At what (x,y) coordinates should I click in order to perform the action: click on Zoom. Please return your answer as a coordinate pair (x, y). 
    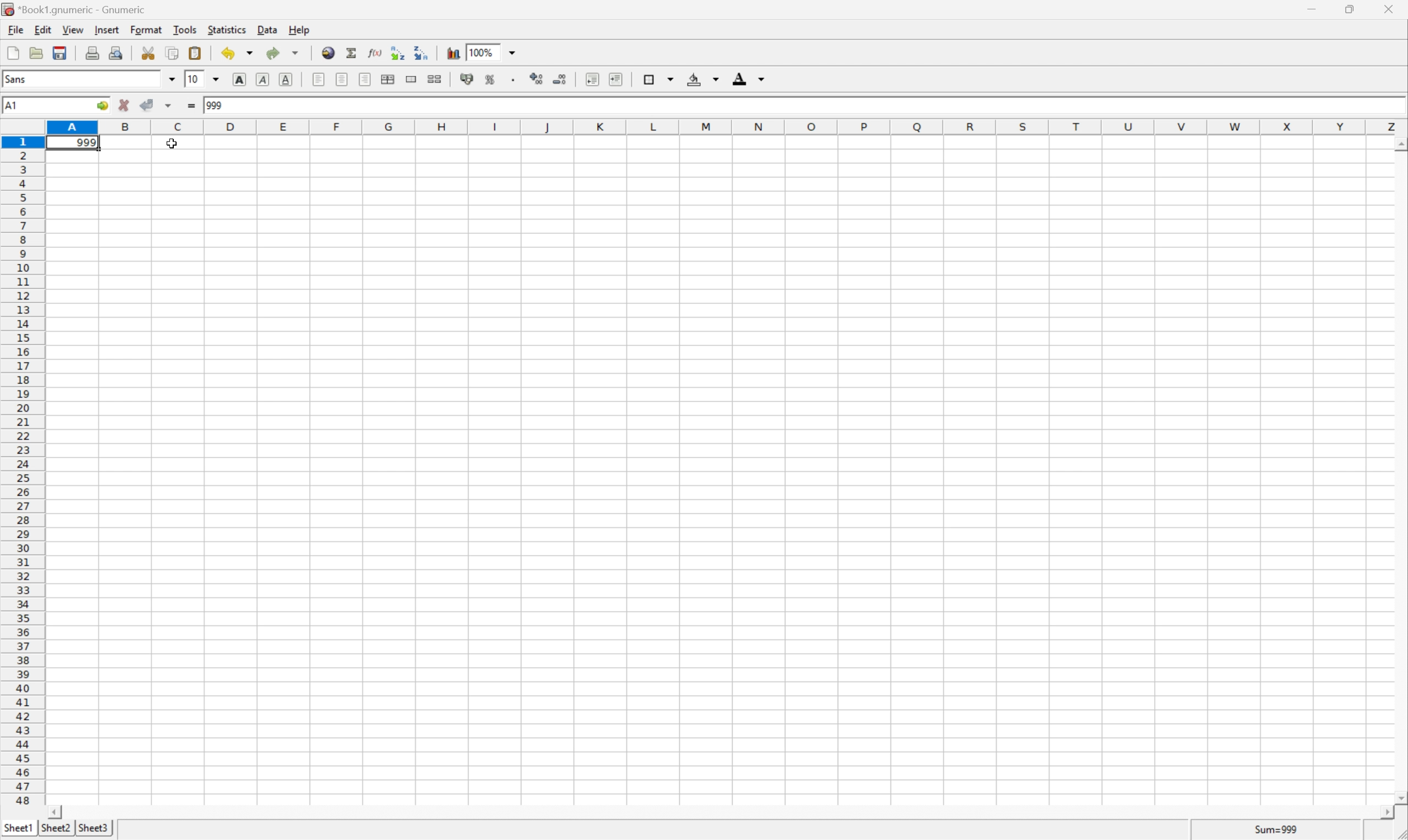
    Looking at the image, I should click on (498, 53).